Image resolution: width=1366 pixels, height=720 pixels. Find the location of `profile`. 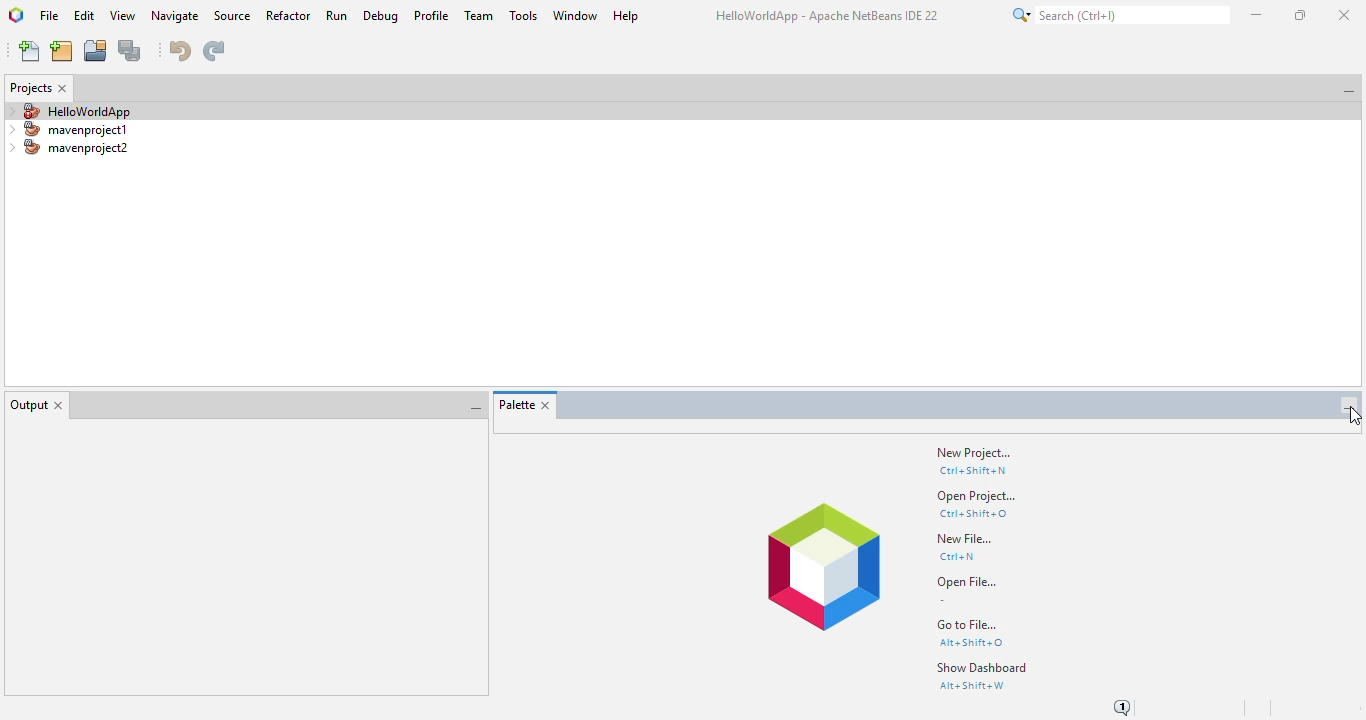

profile is located at coordinates (433, 16).